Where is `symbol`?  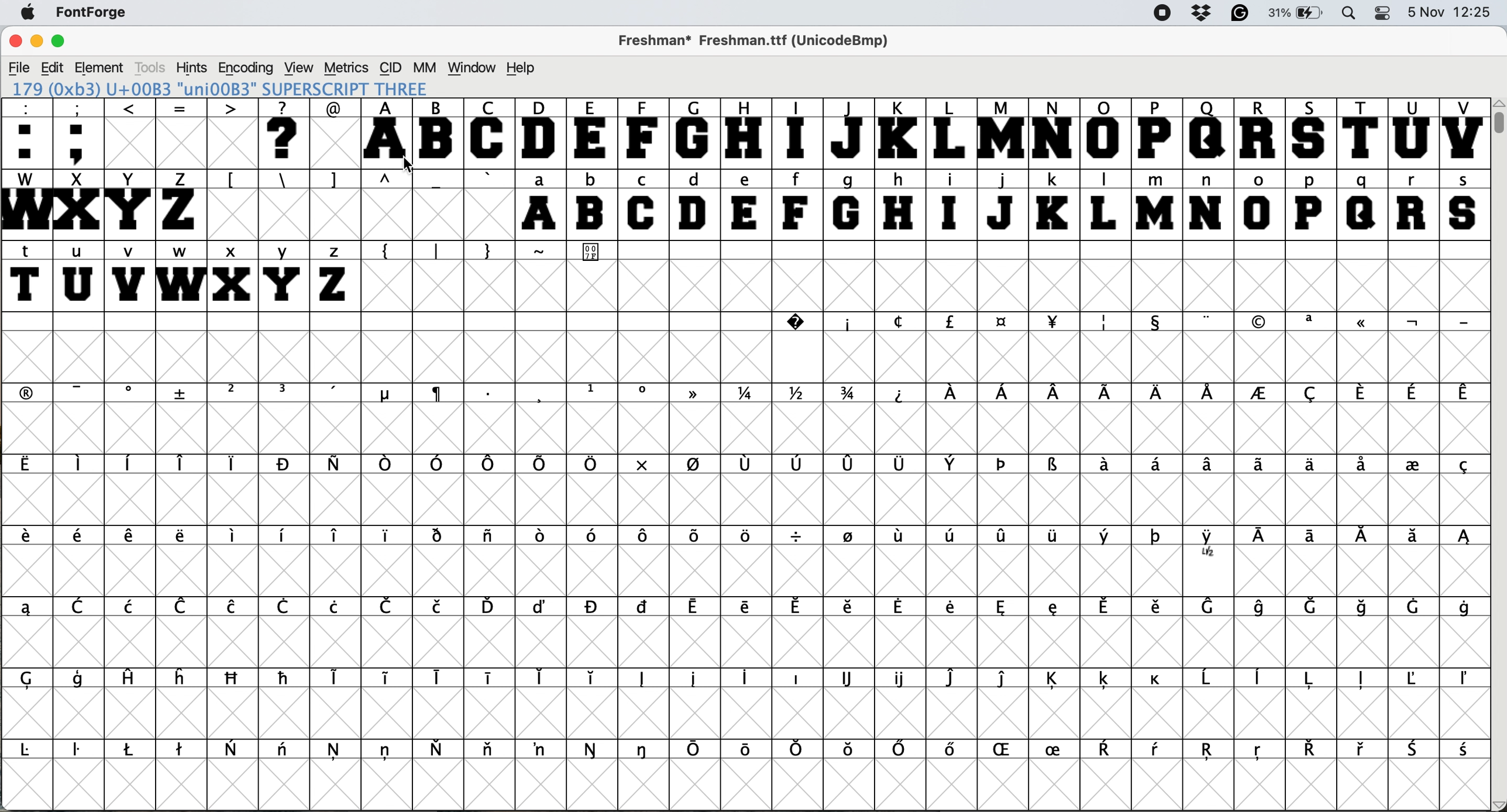
symbol is located at coordinates (490, 605).